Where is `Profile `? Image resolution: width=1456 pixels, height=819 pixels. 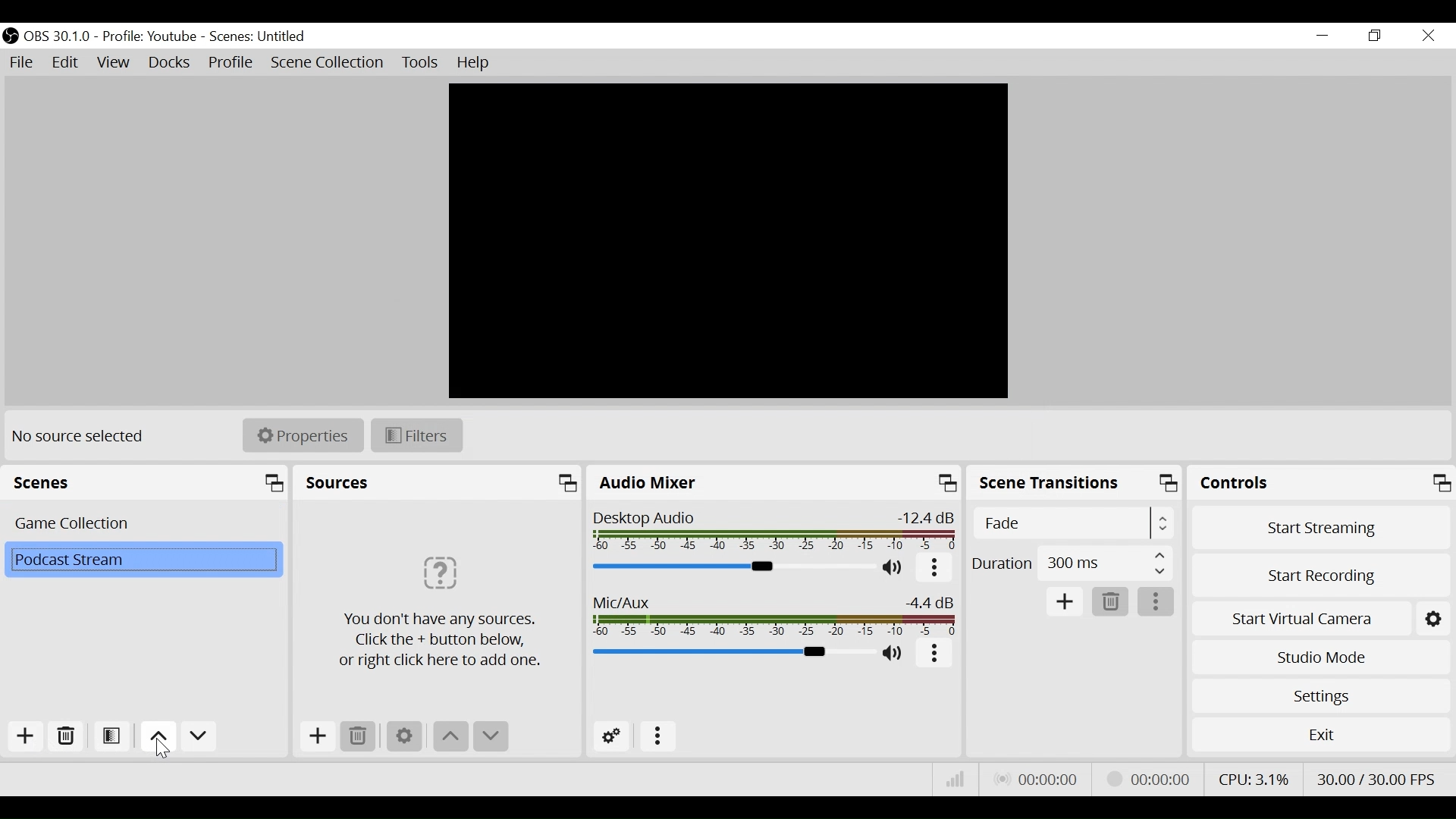
Profile  is located at coordinates (152, 36).